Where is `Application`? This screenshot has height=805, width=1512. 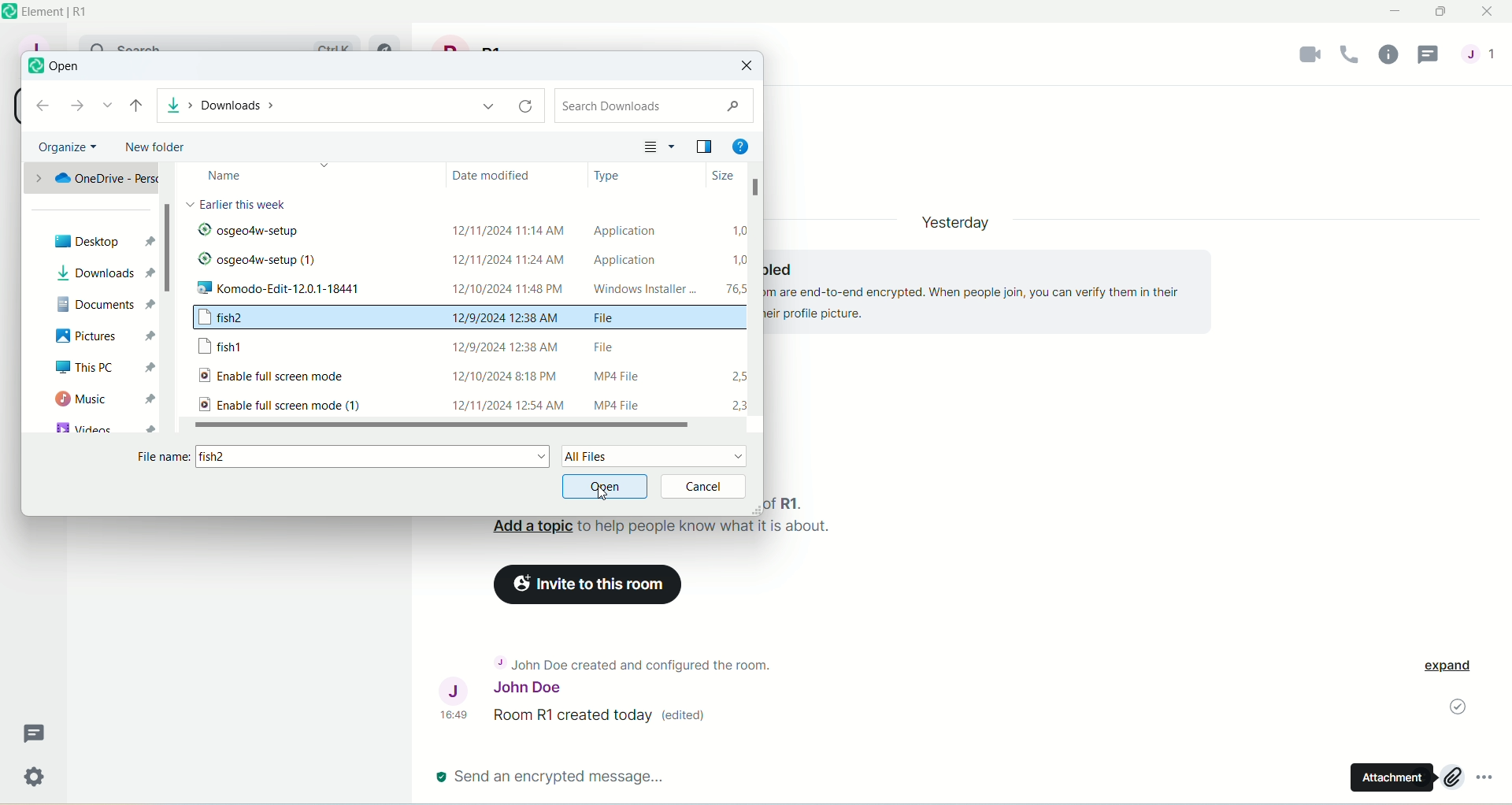
Application is located at coordinates (634, 231).